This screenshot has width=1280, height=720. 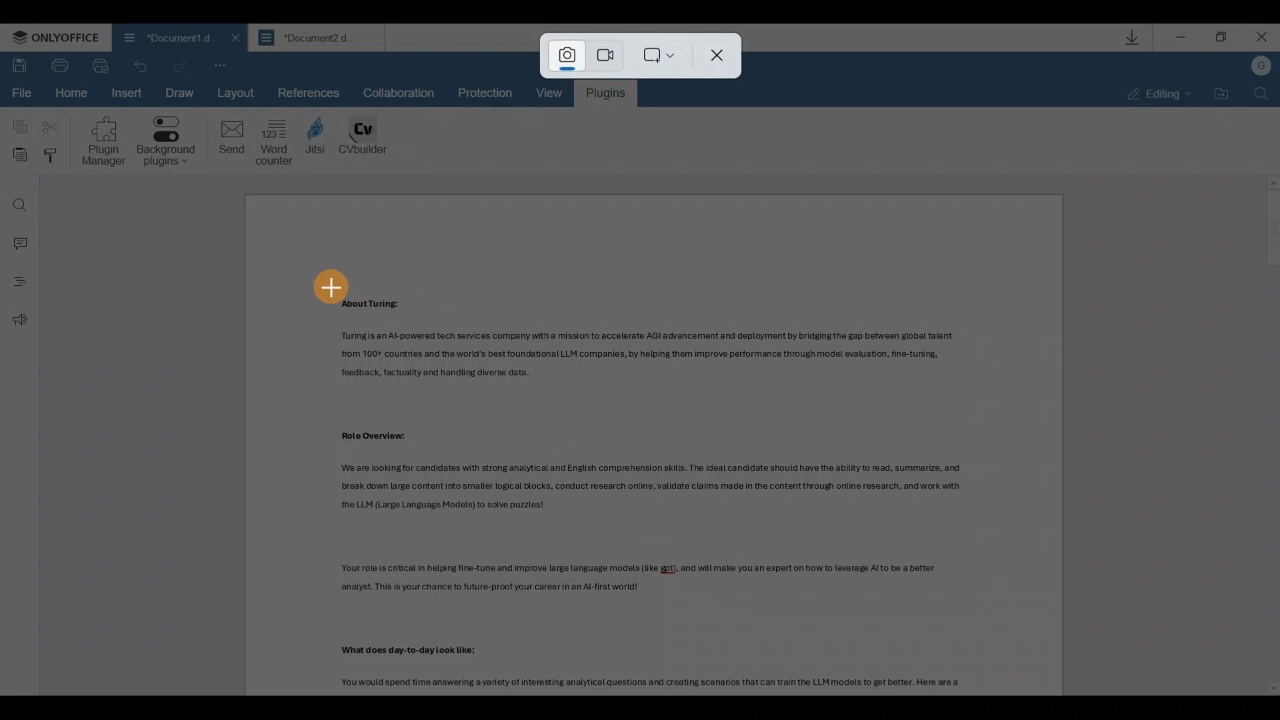 I want to click on Copy style, so click(x=54, y=157).